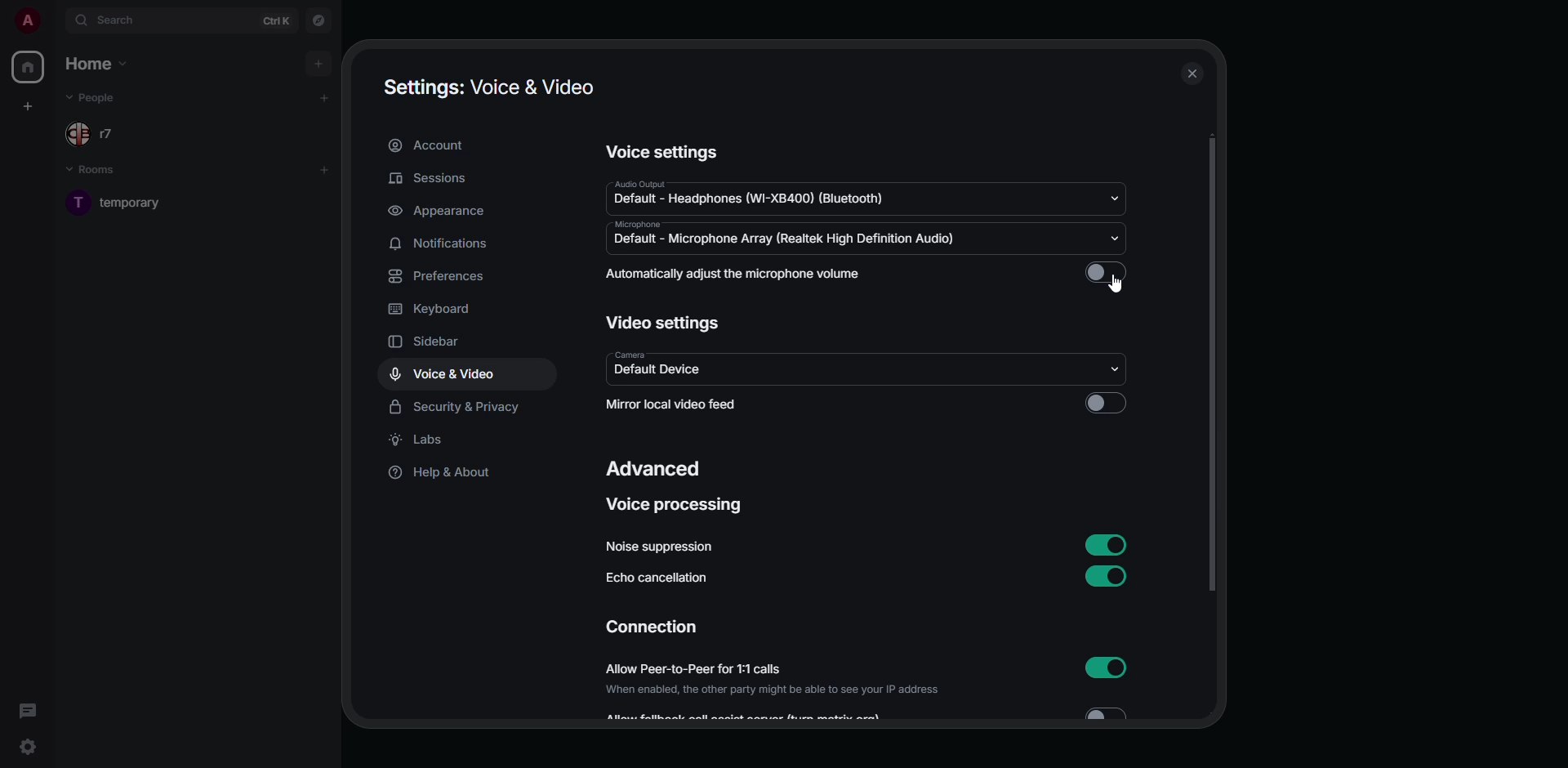  Describe the element at coordinates (760, 193) in the screenshot. I see `audio output` at that location.